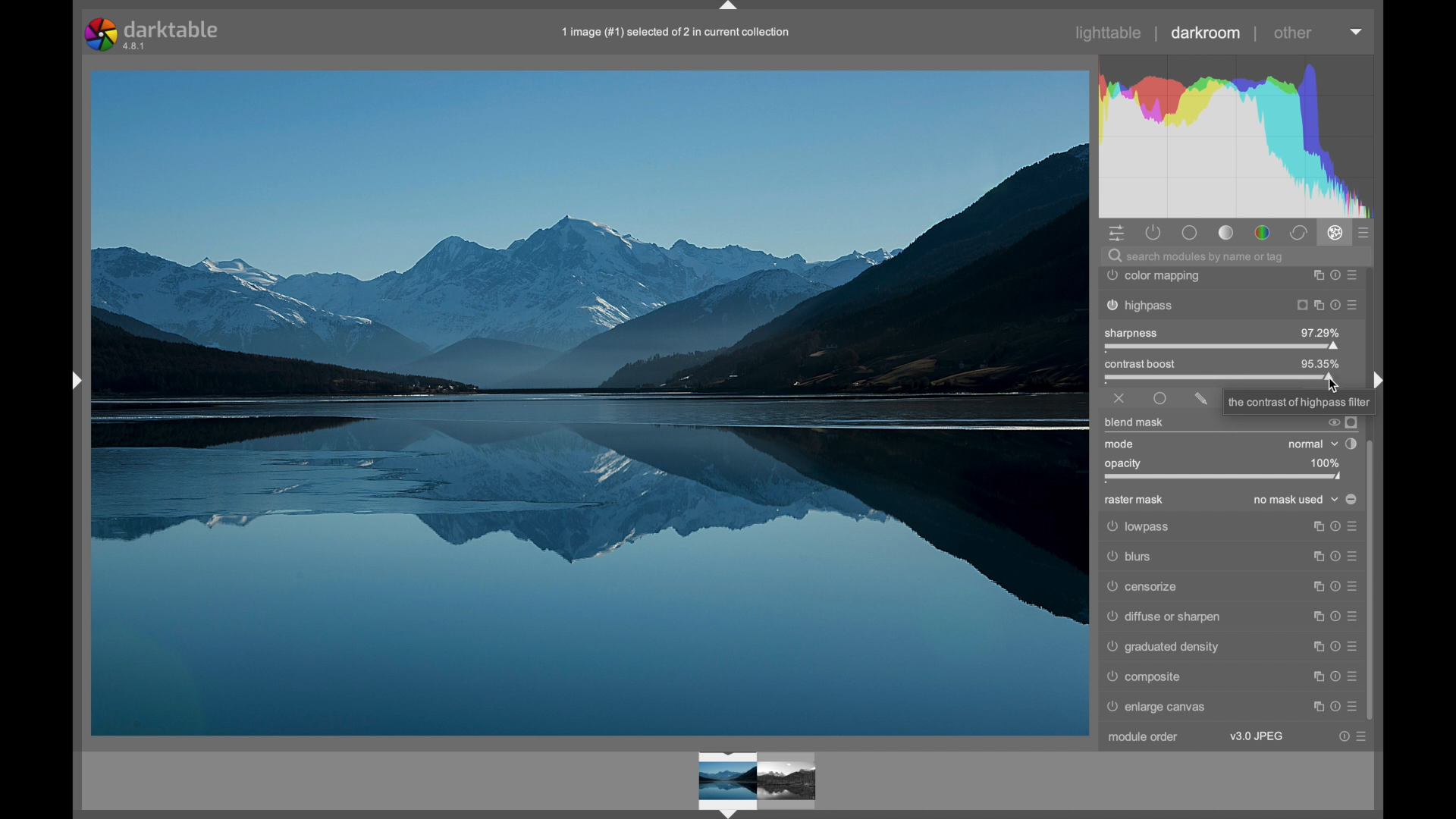  Describe the element at coordinates (1229, 587) in the screenshot. I see `censorize` at that location.